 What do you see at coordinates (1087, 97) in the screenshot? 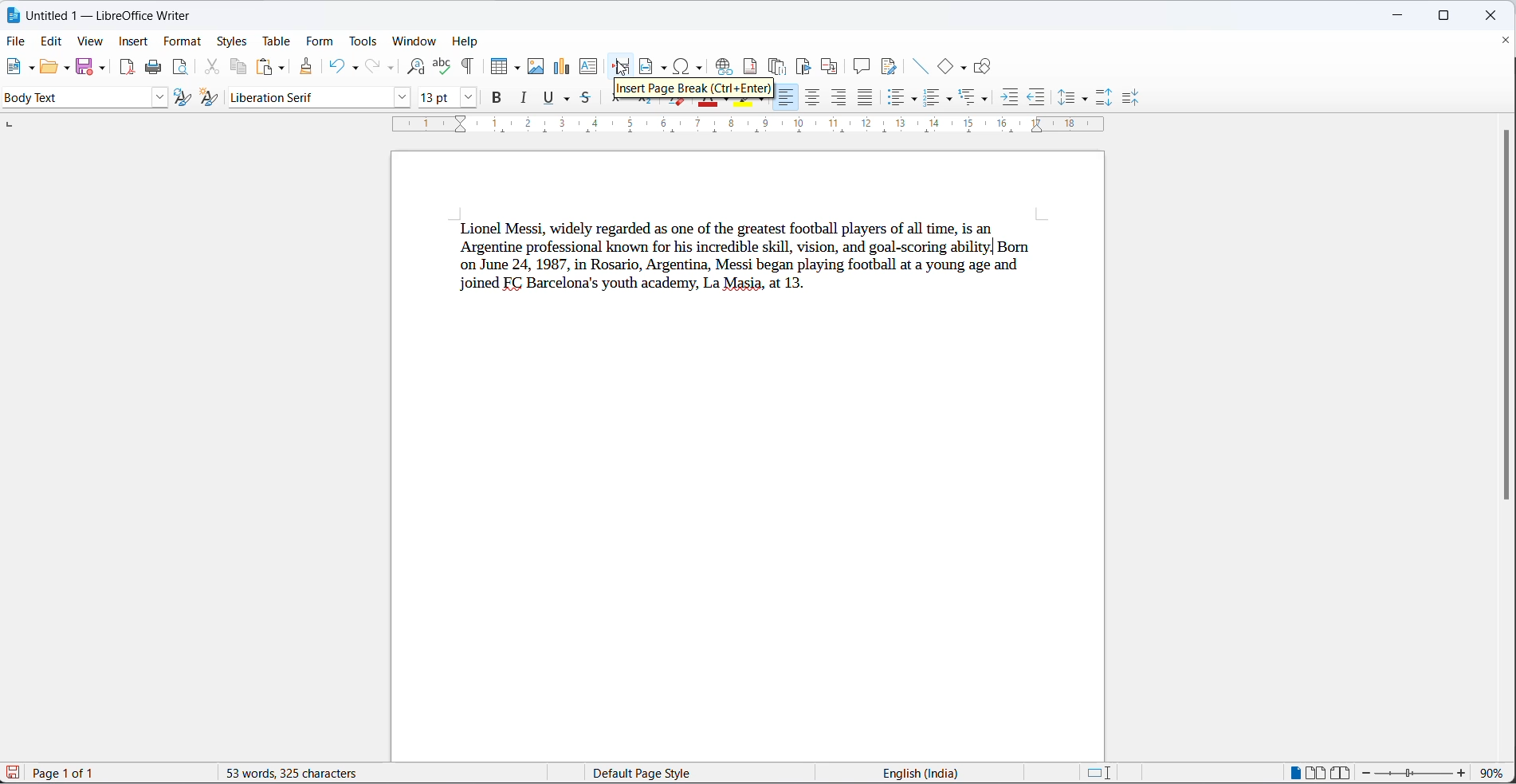
I see `line spacing options` at bounding box center [1087, 97].